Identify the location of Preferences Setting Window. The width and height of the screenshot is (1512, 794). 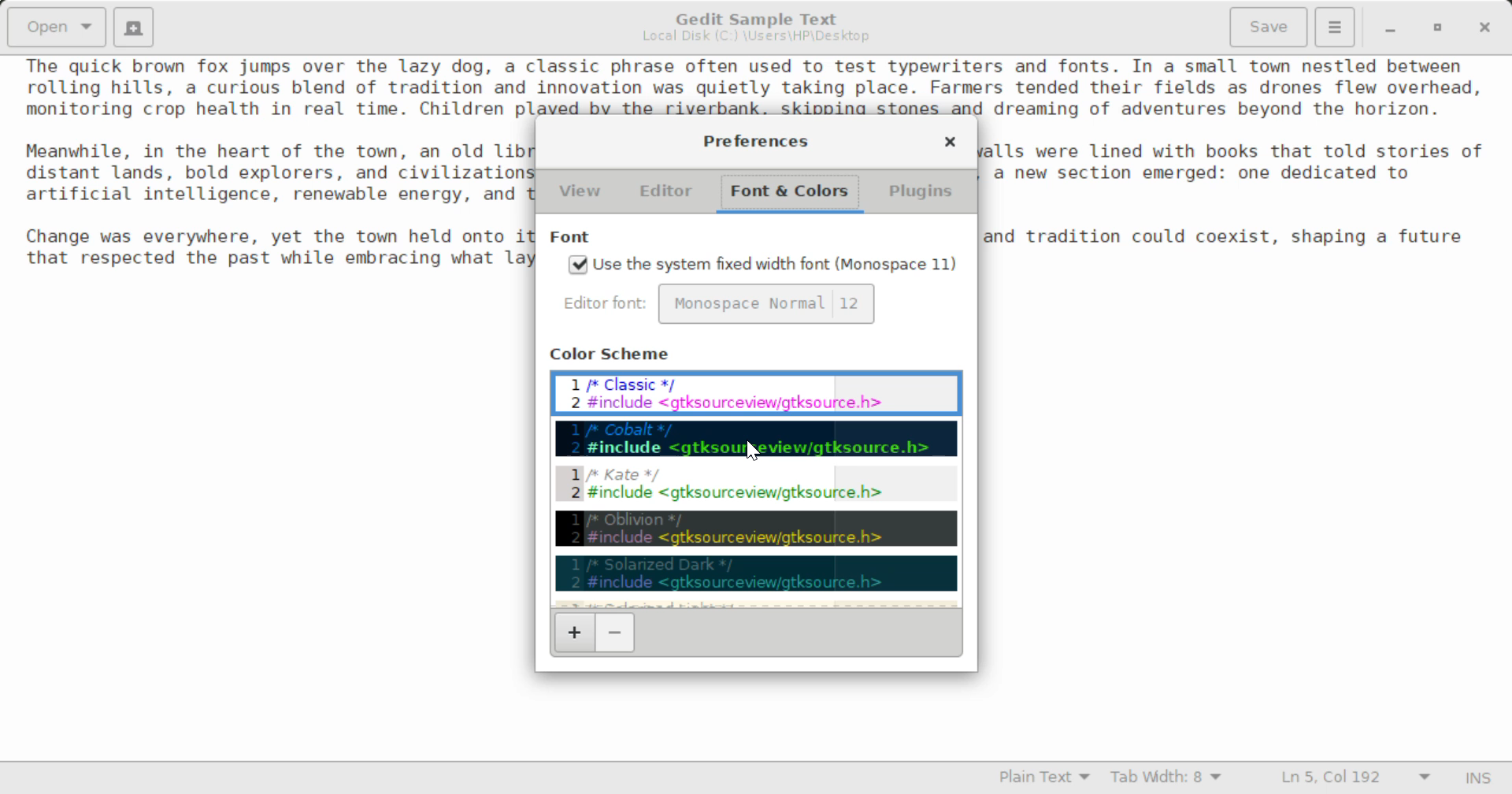
(758, 140).